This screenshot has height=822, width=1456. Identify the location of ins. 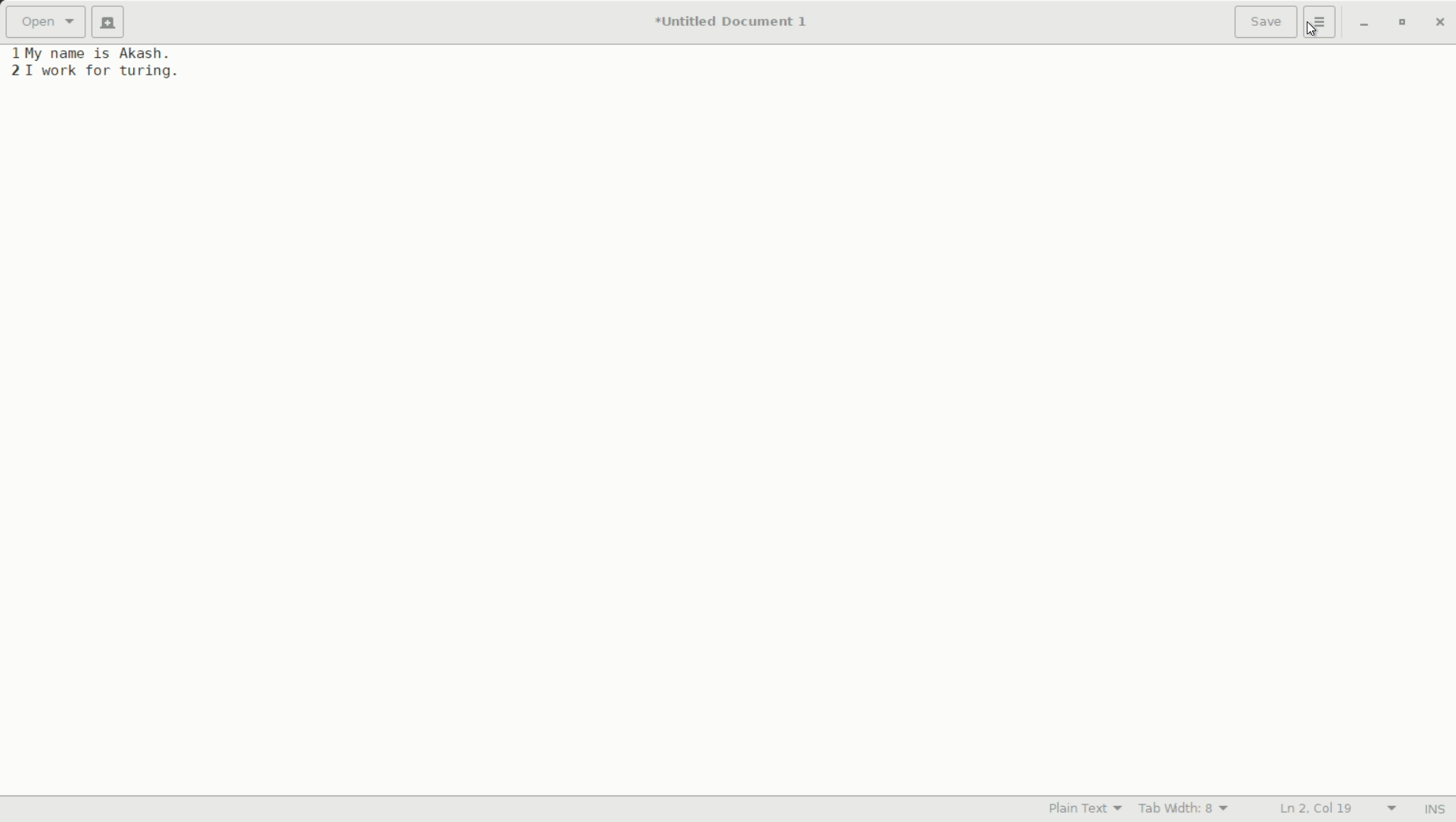
(1432, 808).